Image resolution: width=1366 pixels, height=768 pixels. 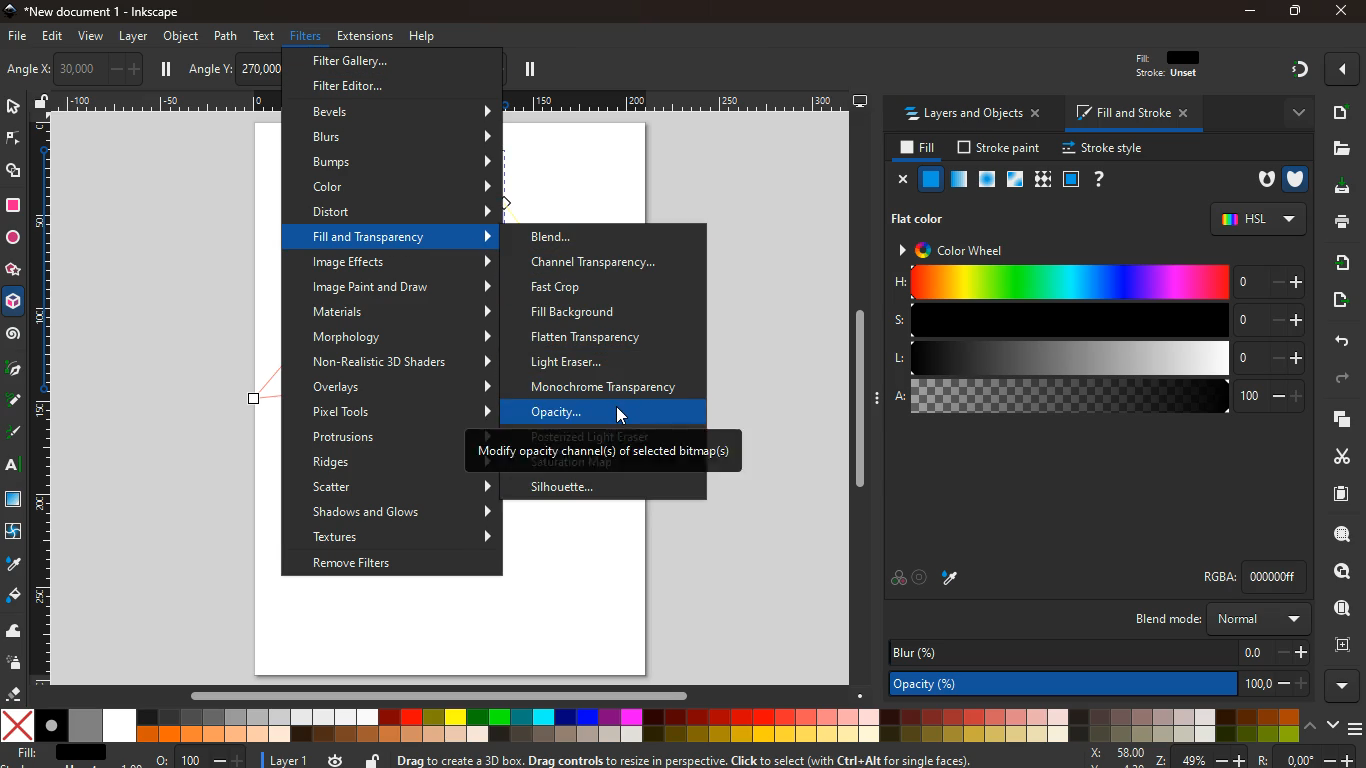 I want to click on armour, so click(x=1295, y=178).